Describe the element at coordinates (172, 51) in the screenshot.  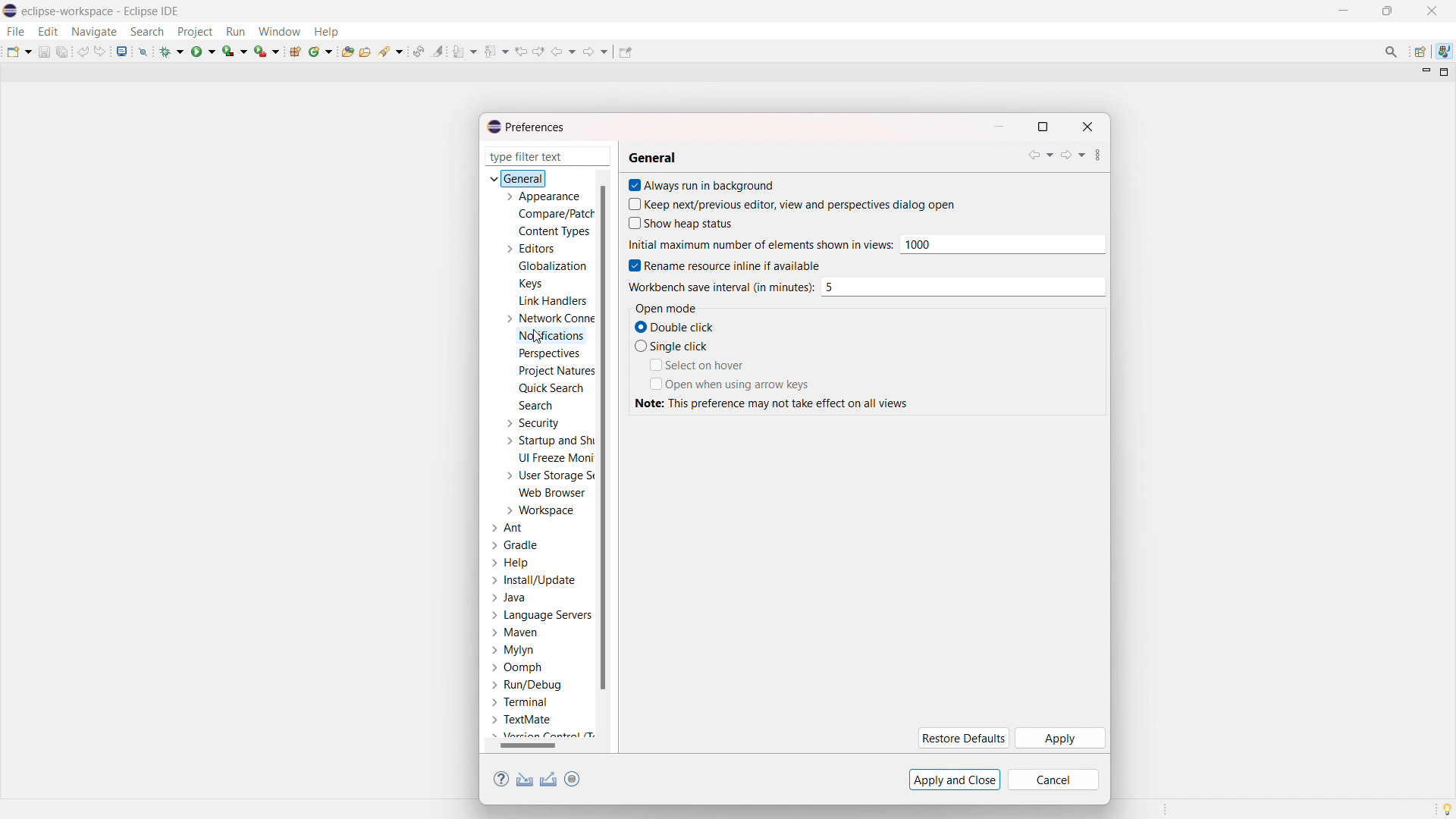
I see `debug` at that location.